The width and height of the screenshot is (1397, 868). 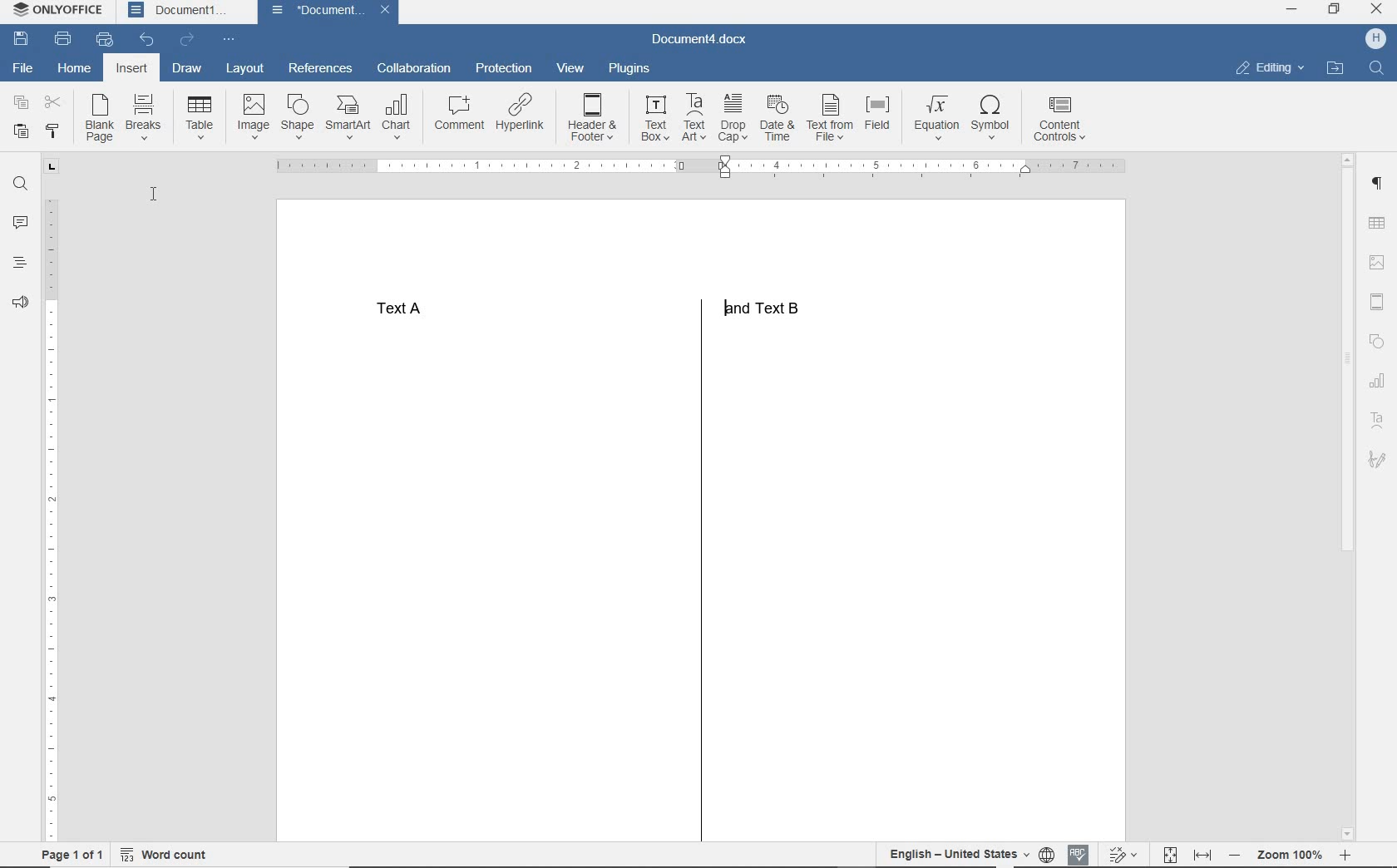 I want to click on document, so click(x=318, y=12).